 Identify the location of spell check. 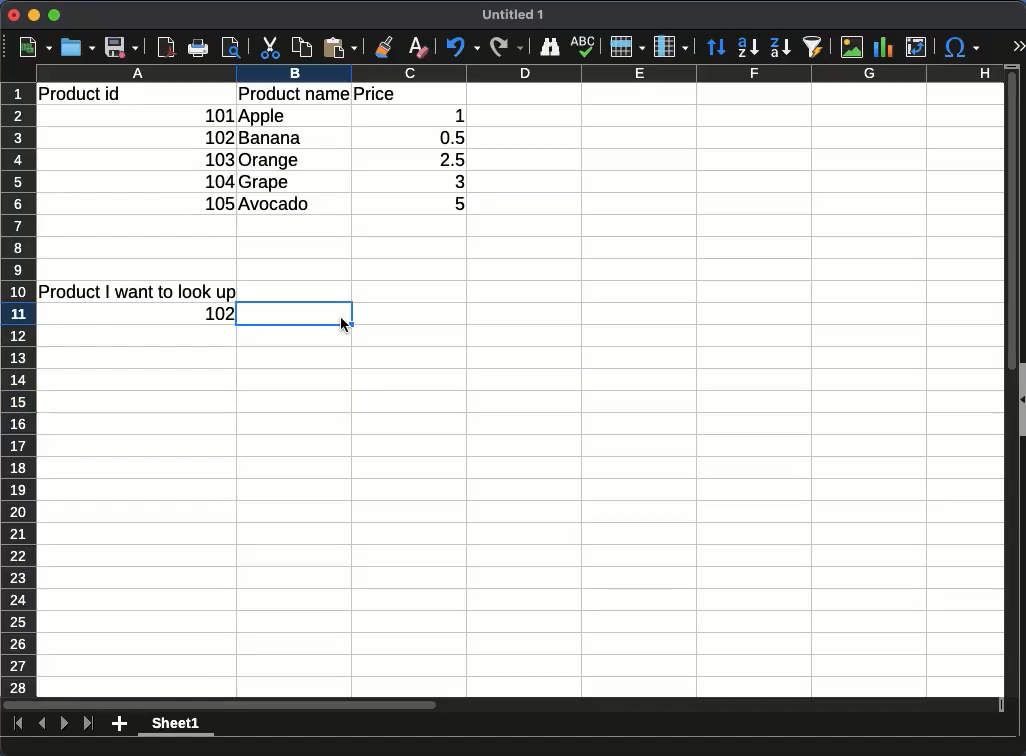
(583, 46).